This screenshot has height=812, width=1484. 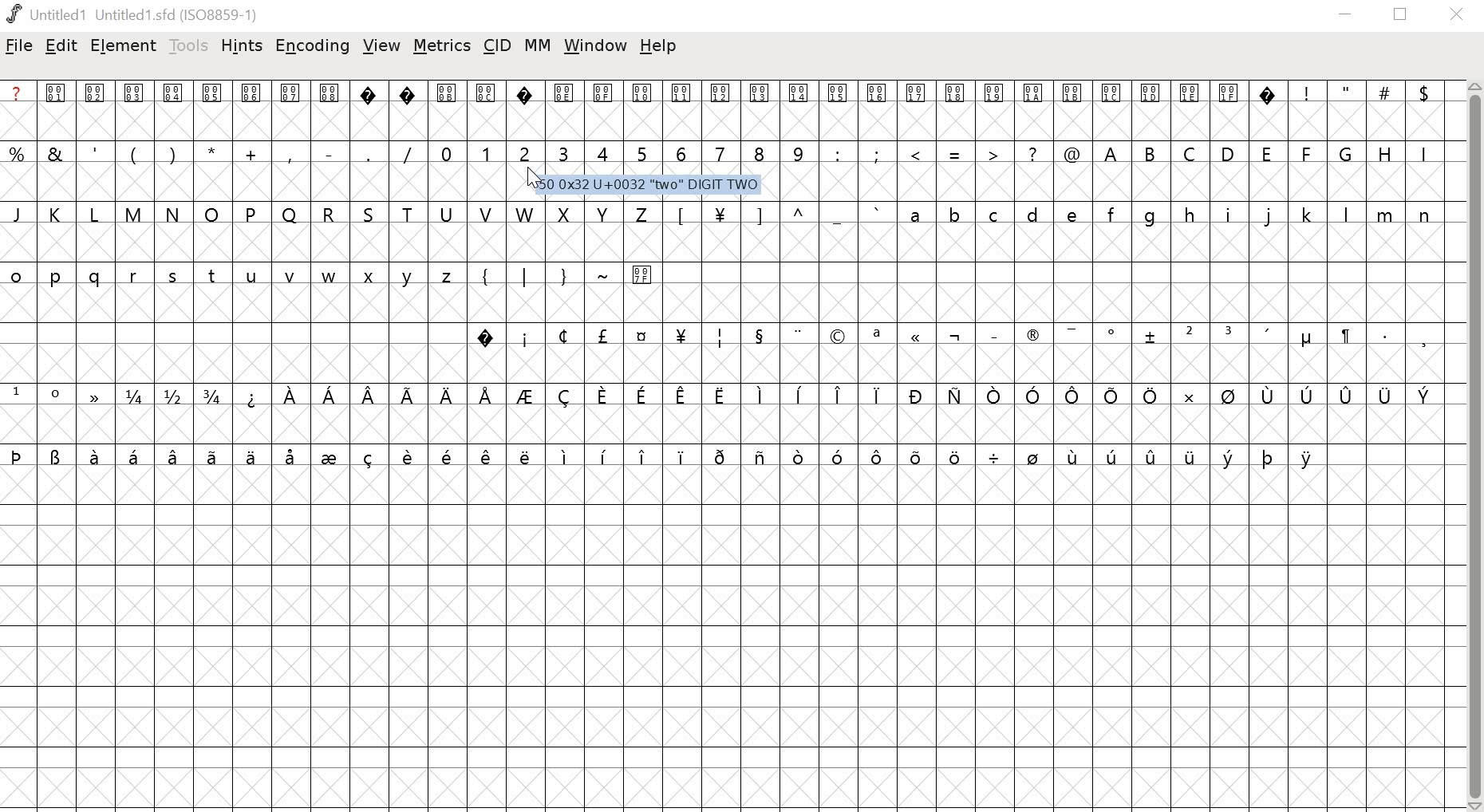 What do you see at coordinates (443, 46) in the screenshot?
I see `metrics` at bounding box center [443, 46].